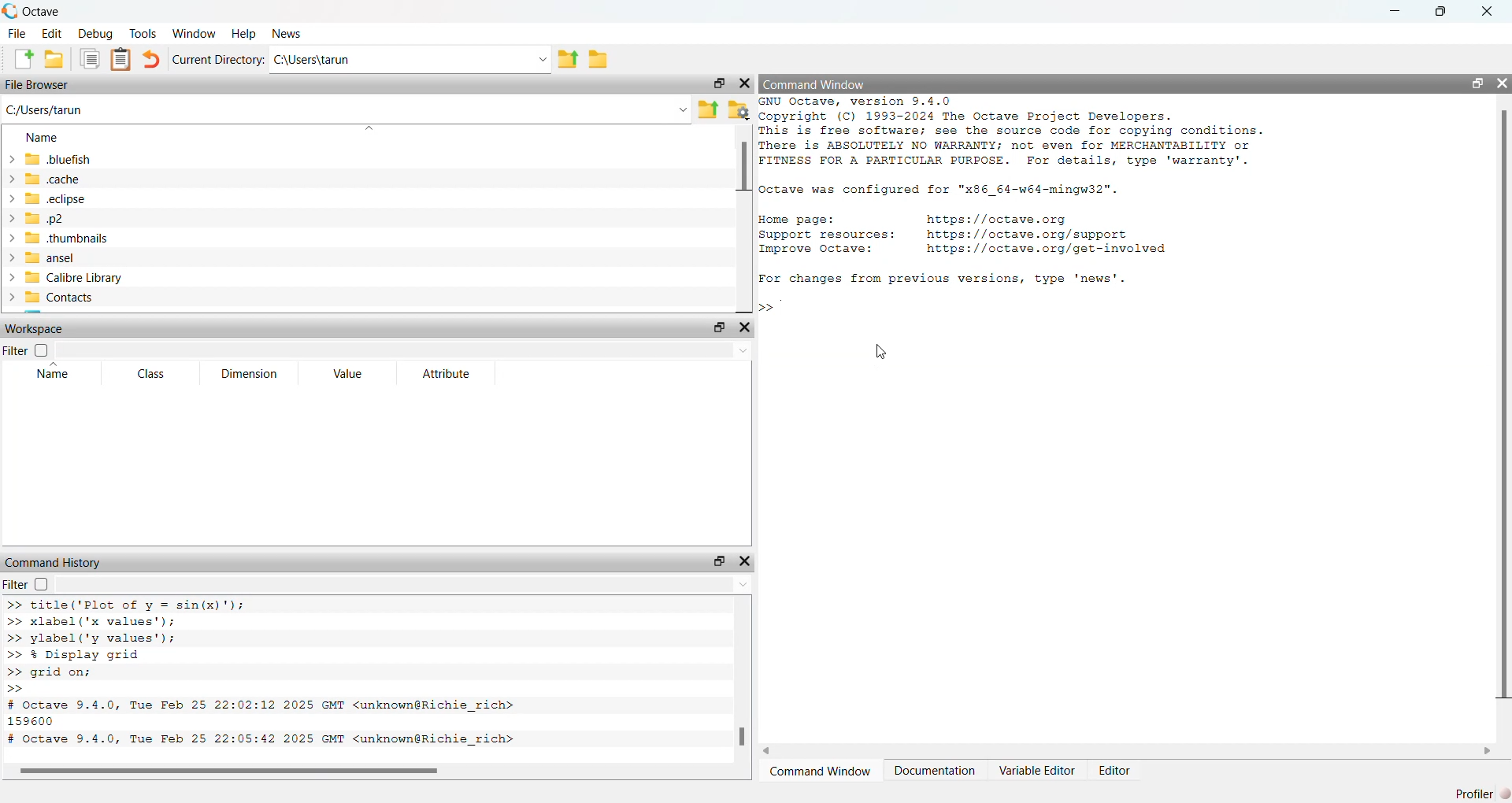 The width and height of the screenshot is (1512, 803). I want to click on folder settings, so click(738, 109).